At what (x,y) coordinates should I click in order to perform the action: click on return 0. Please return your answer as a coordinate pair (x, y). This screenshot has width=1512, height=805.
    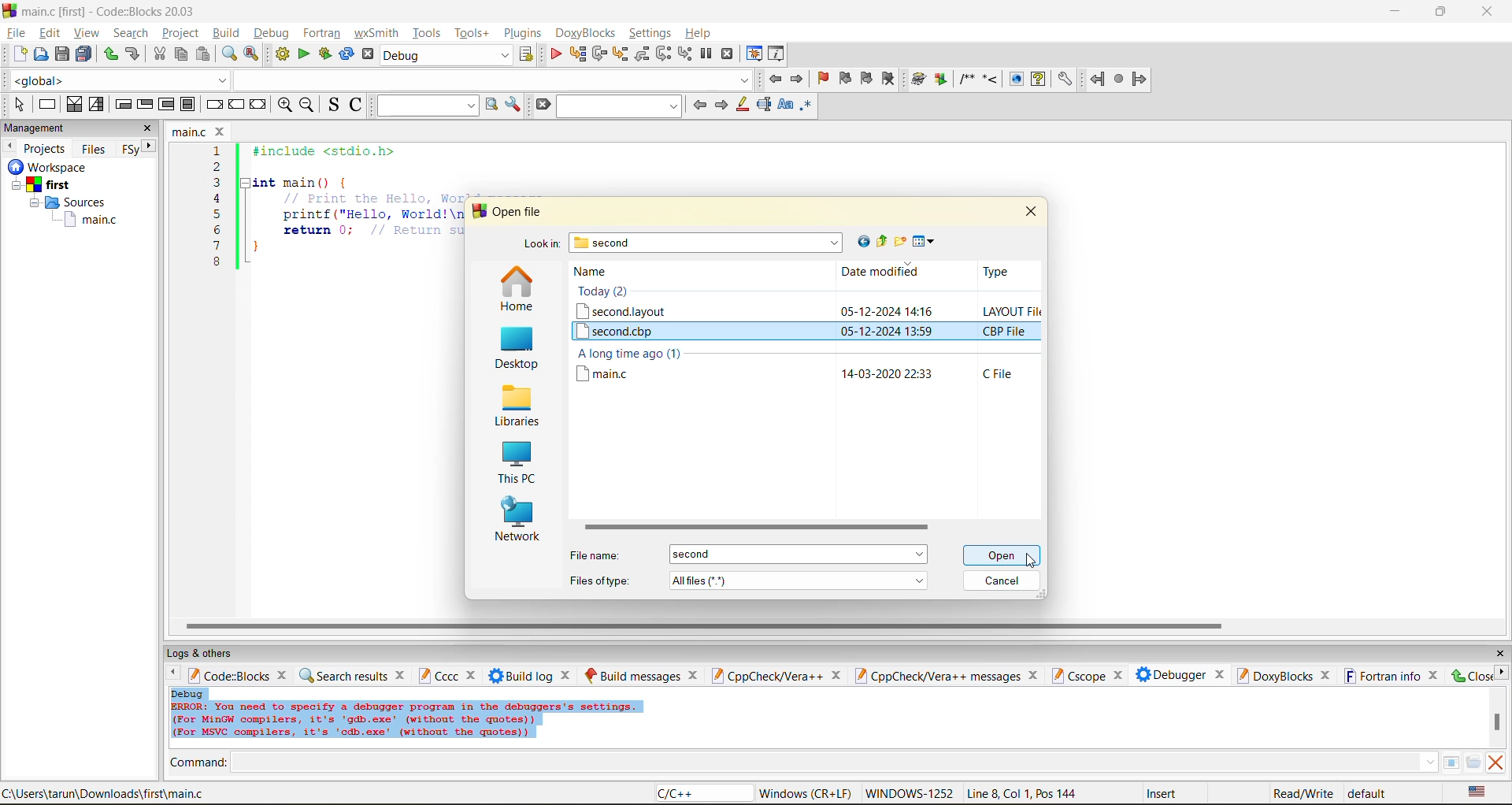
    Looking at the image, I should click on (372, 230).